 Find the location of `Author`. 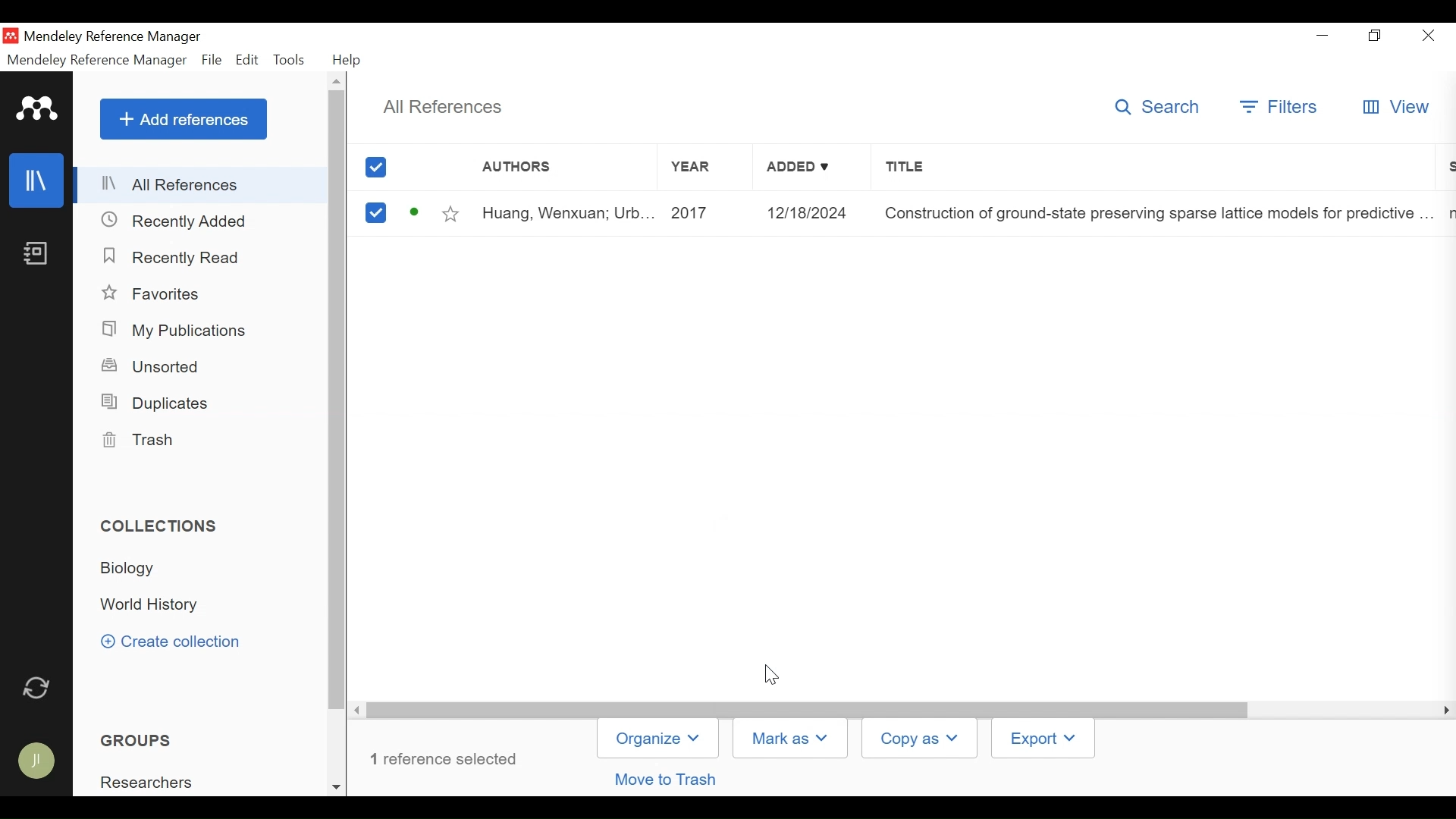

Author is located at coordinates (568, 215).